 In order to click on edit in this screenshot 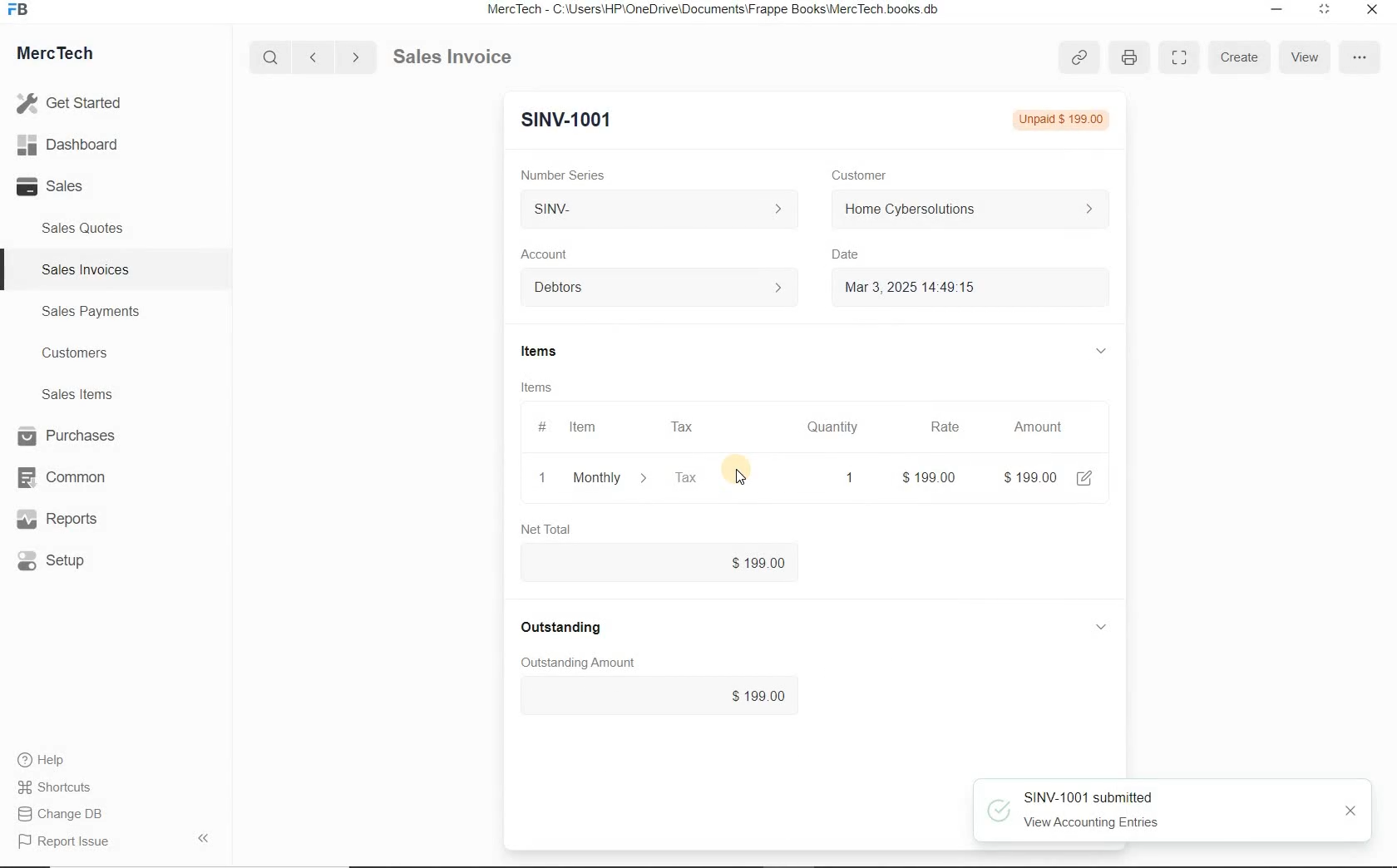, I will do `click(1084, 476)`.